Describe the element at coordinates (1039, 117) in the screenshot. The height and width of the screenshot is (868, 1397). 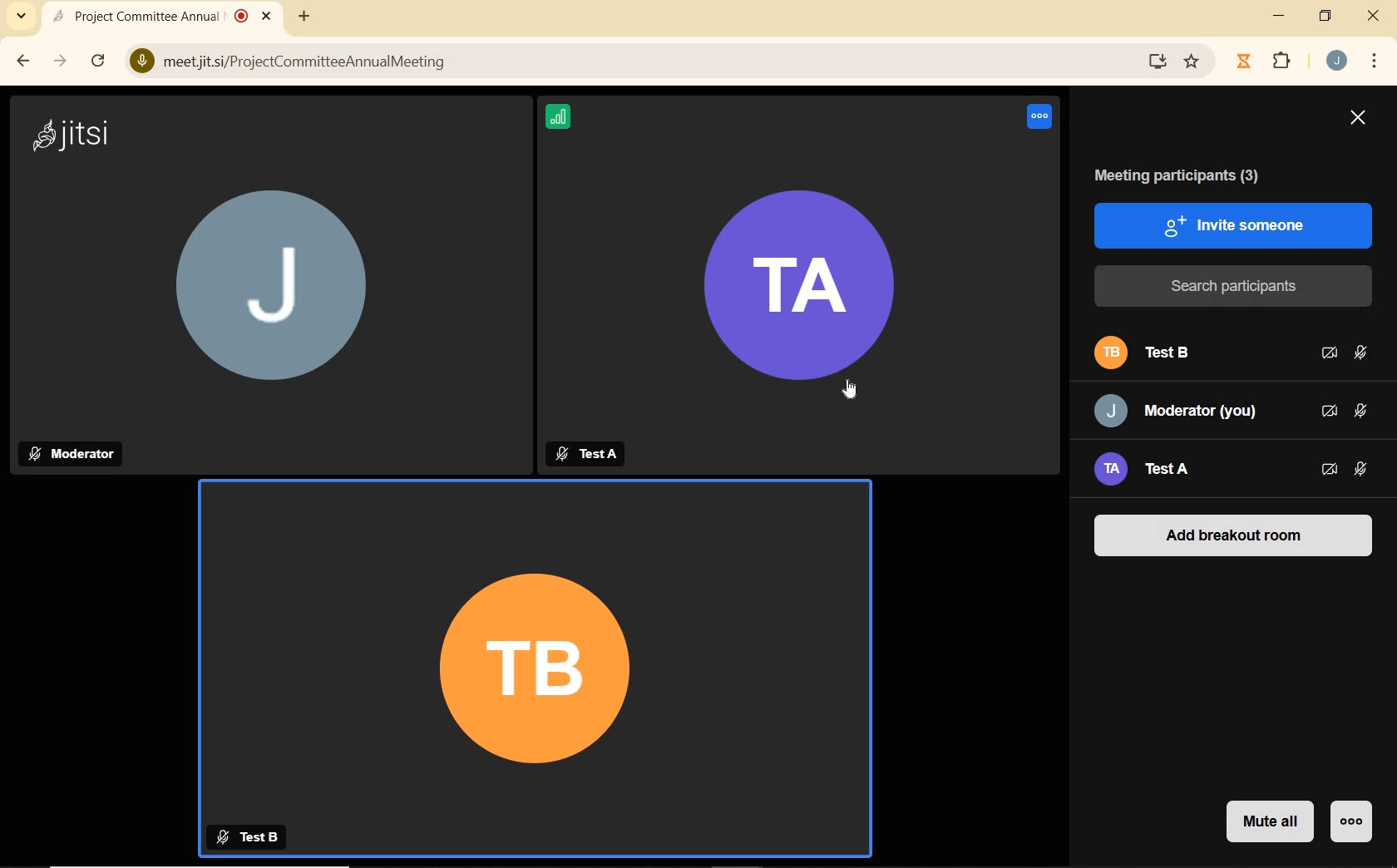
I see `Voice` at that location.